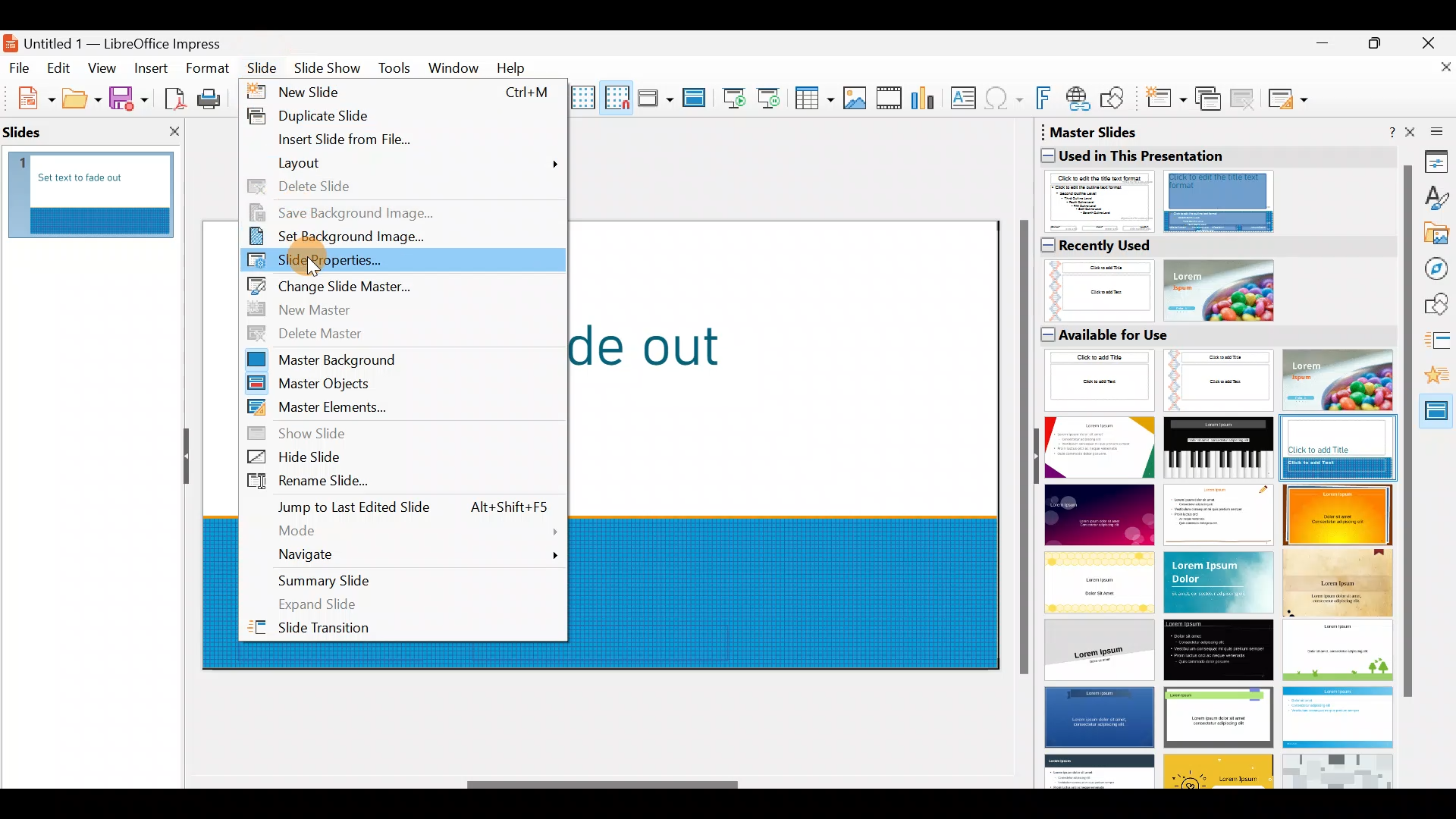  What do you see at coordinates (1289, 99) in the screenshot?
I see `Slide layout` at bounding box center [1289, 99].